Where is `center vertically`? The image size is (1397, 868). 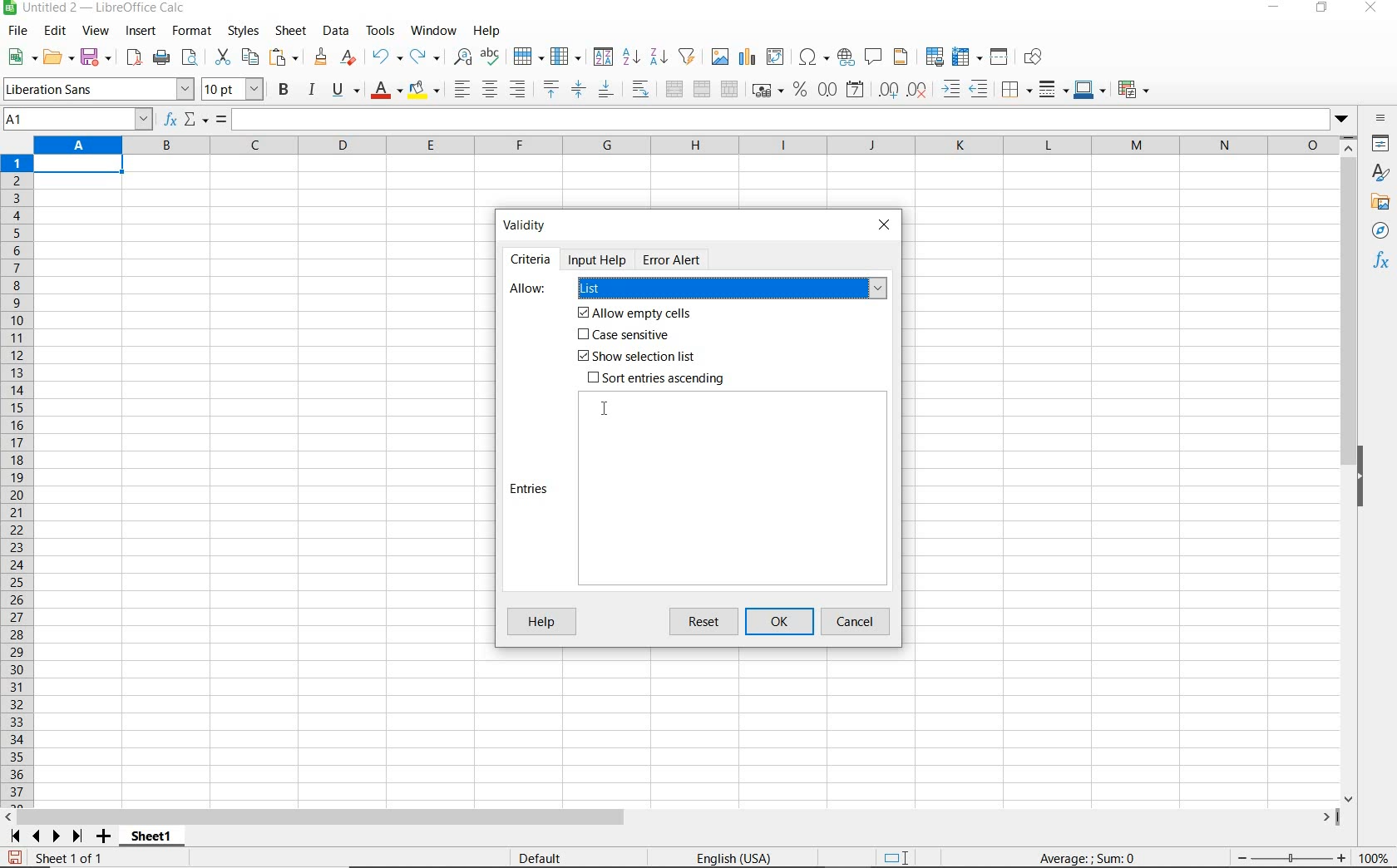
center vertically is located at coordinates (578, 90).